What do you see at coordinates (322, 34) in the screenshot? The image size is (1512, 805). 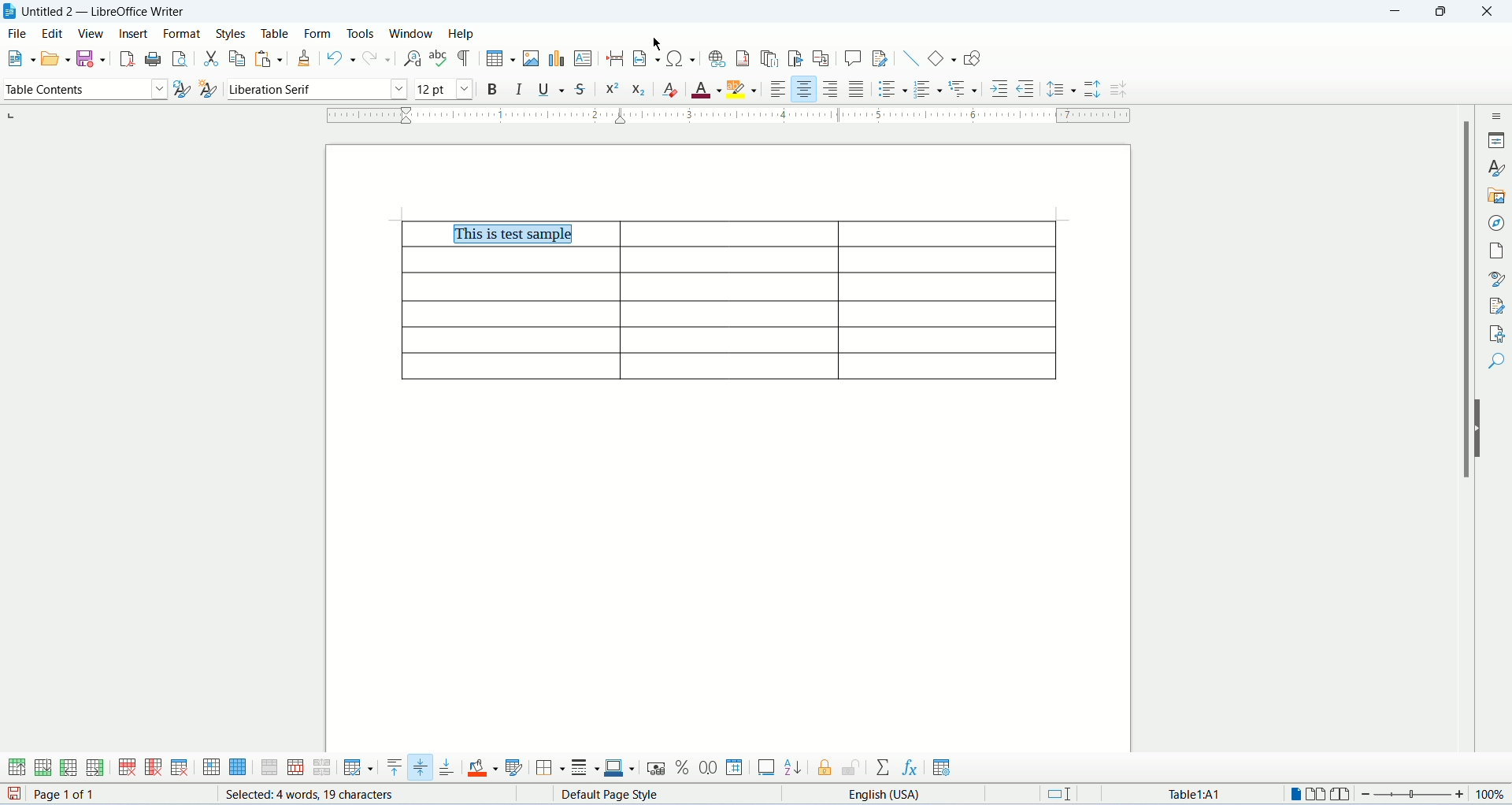 I see `form` at bounding box center [322, 34].